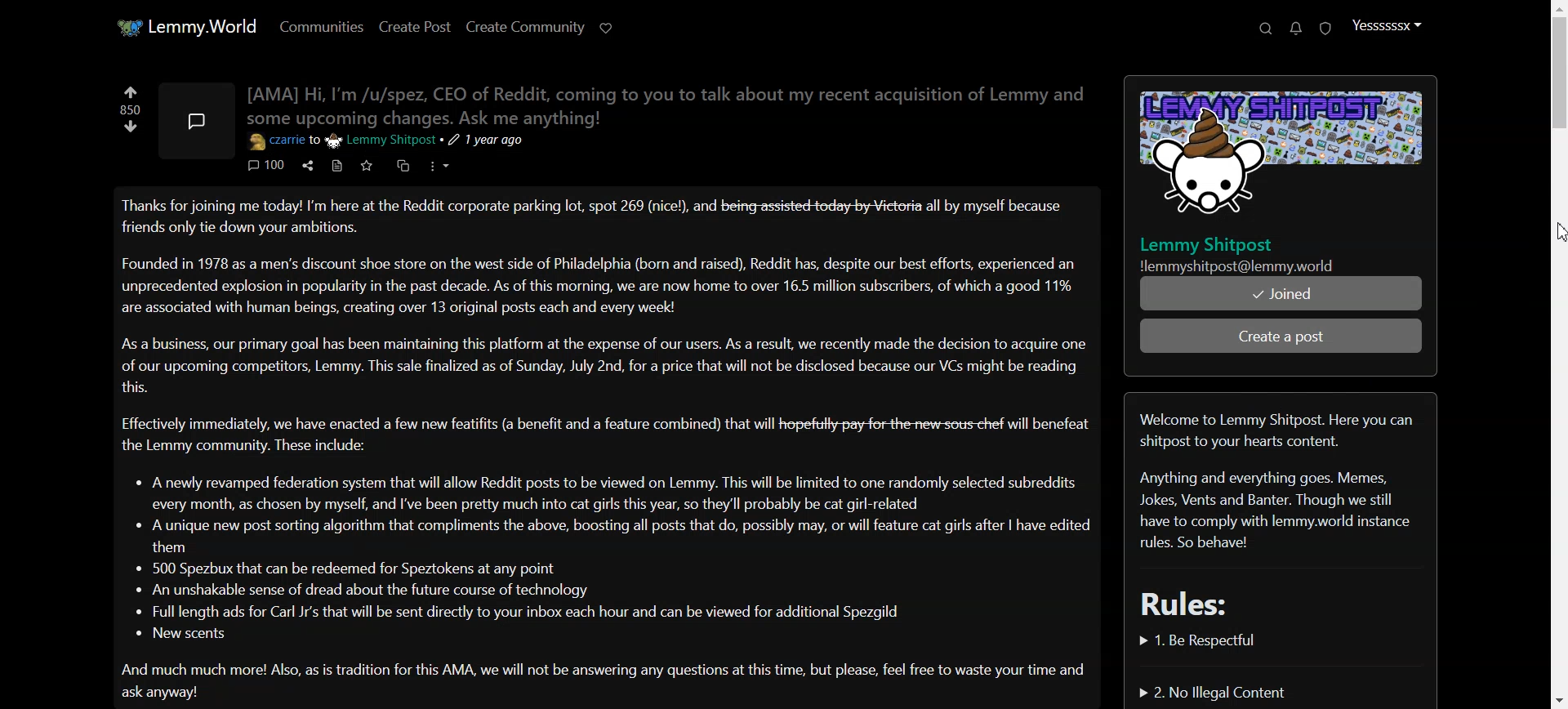 The height and width of the screenshot is (709, 1568). I want to click on Share, so click(306, 166).